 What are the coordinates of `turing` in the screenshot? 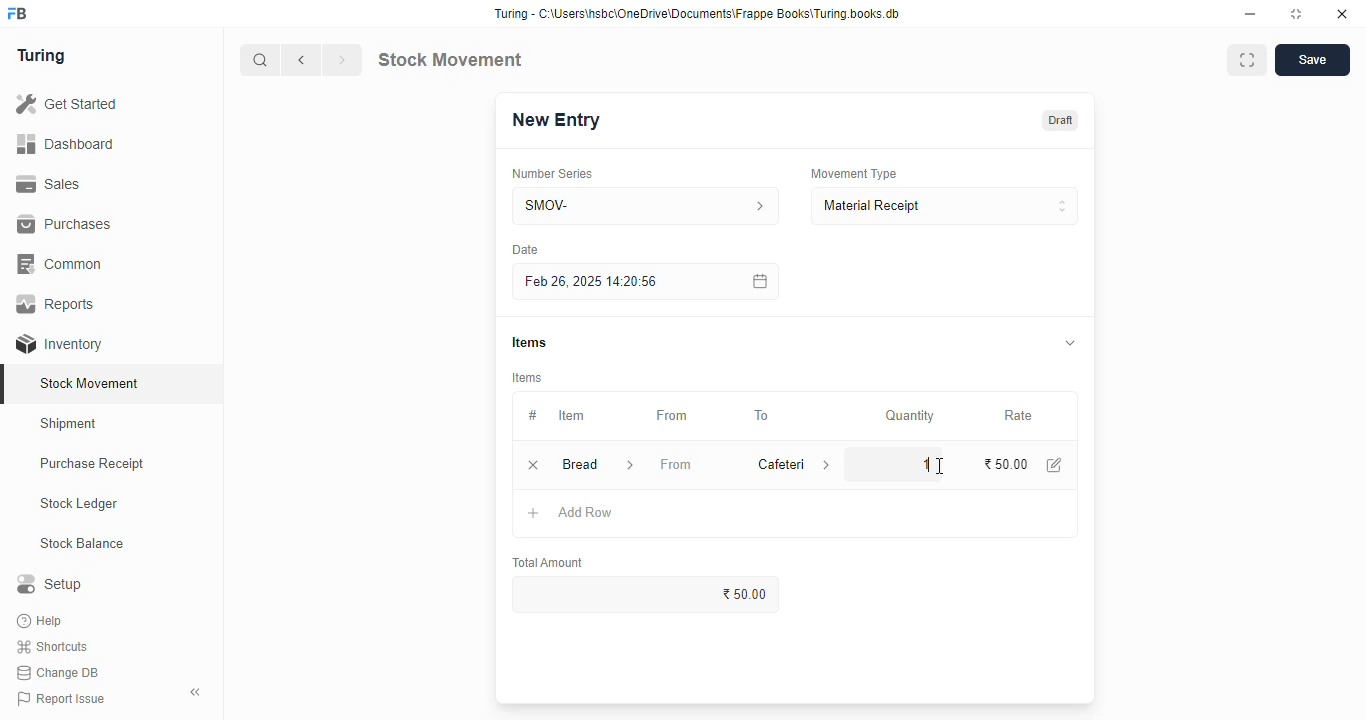 It's located at (42, 56).